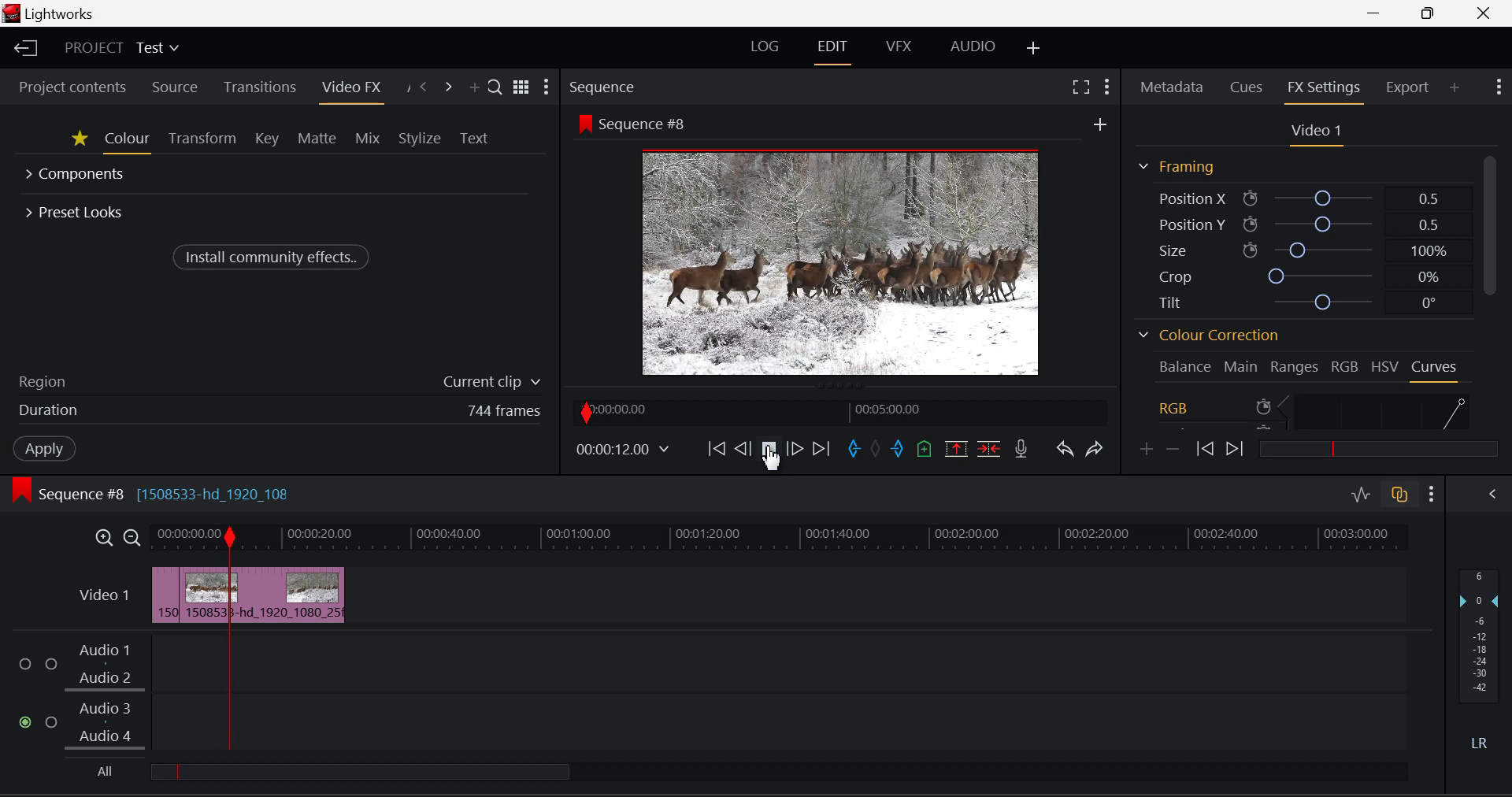 This screenshot has height=797, width=1512. Describe the element at coordinates (1020, 450) in the screenshot. I see `Record Voiceover` at that location.